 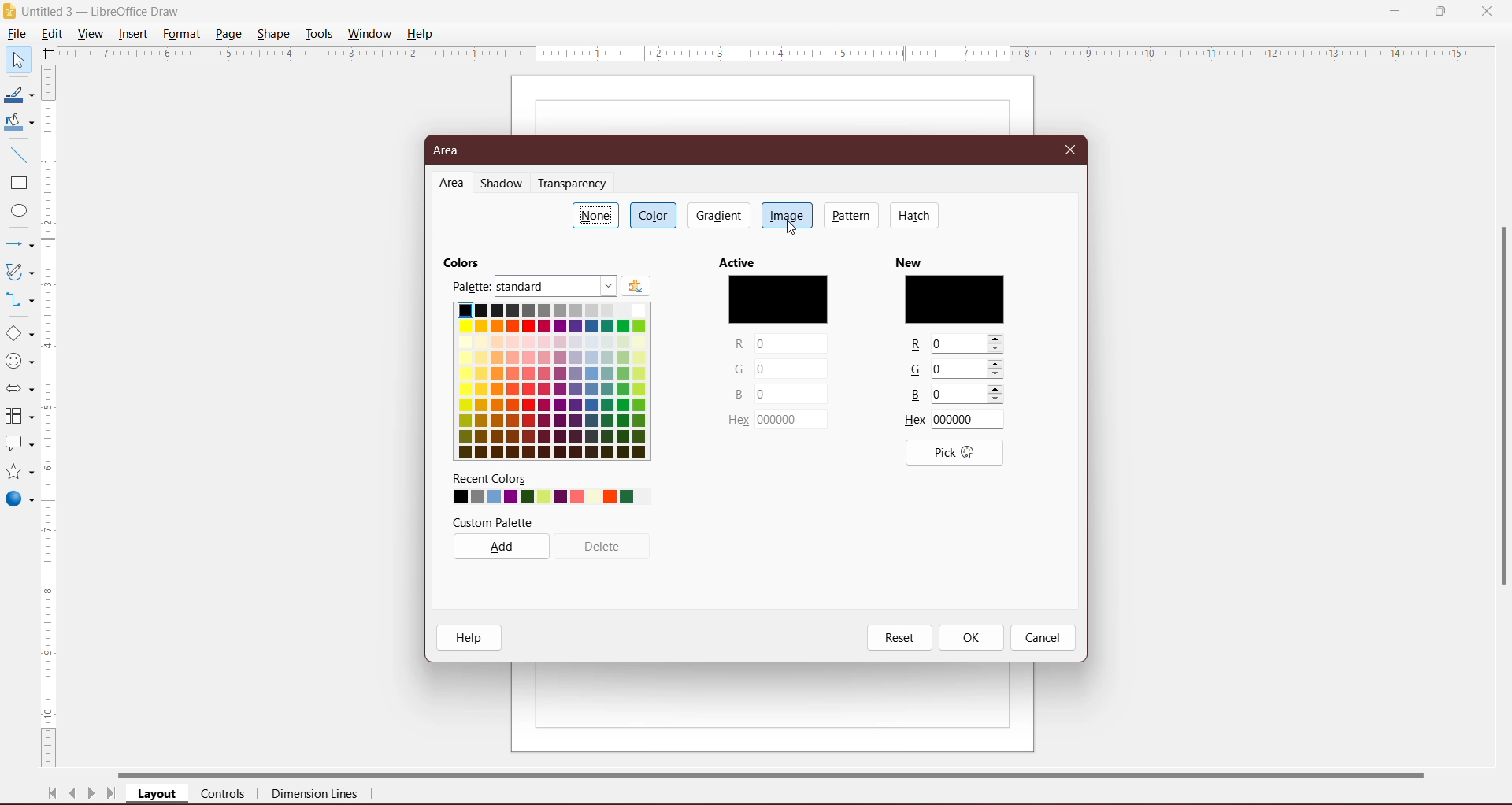 I want to click on Curves and Polygons, so click(x=18, y=271).